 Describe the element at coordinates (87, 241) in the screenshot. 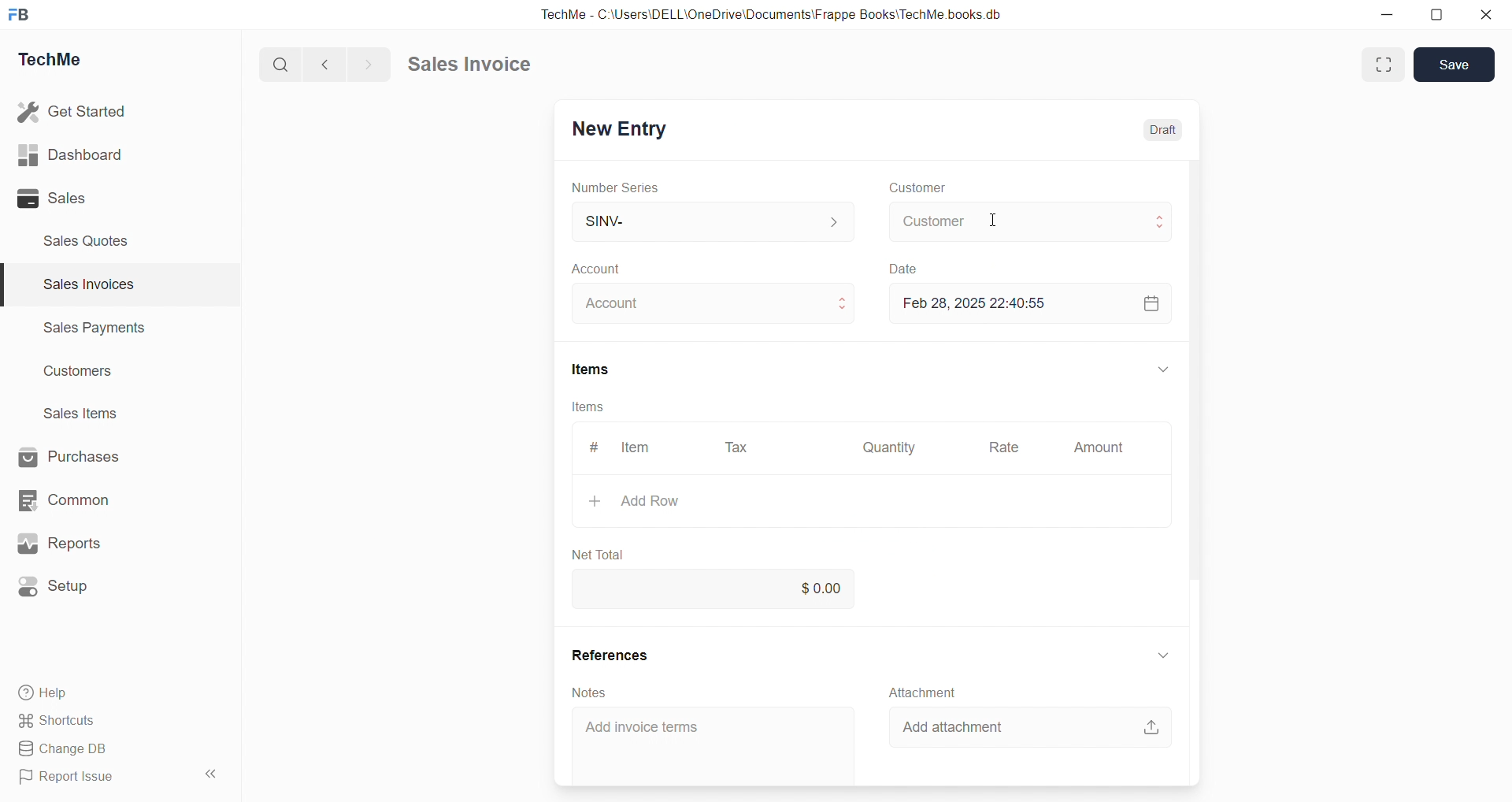

I see `Sales Quotes` at that location.